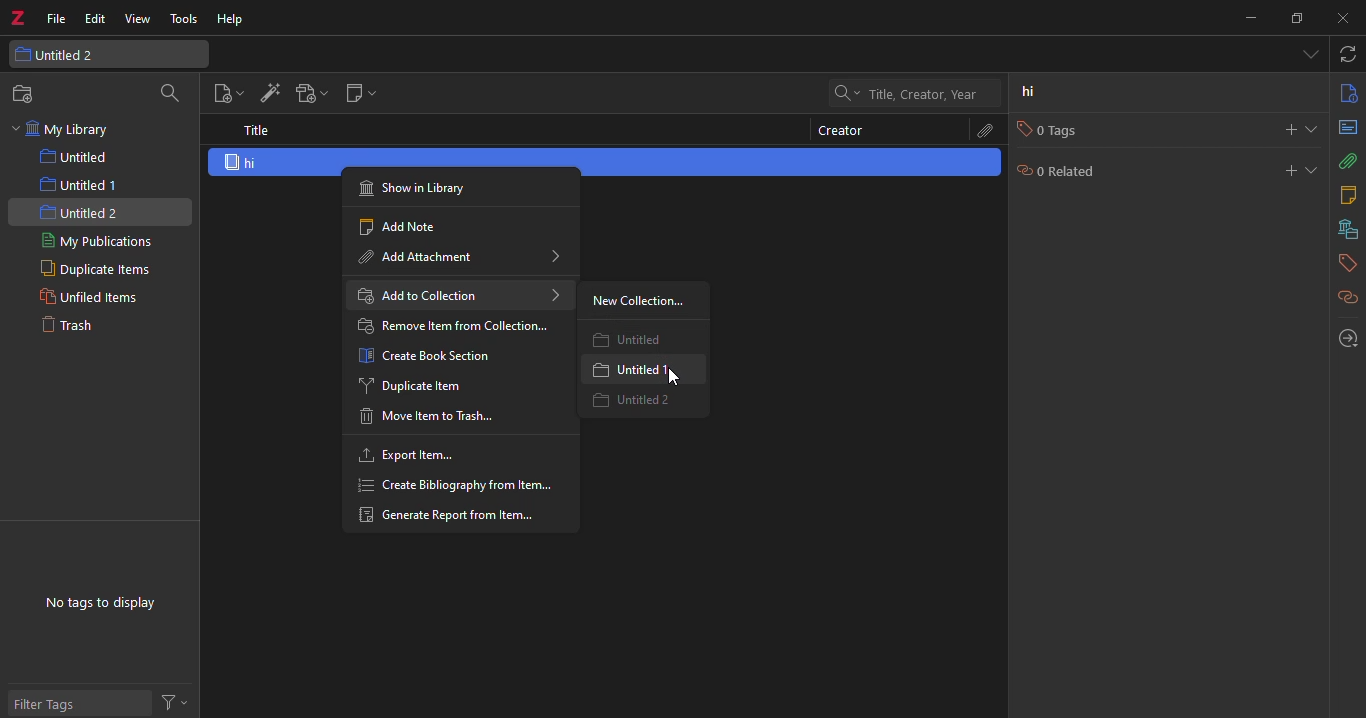  What do you see at coordinates (1050, 131) in the screenshot?
I see `0 tags` at bounding box center [1050, 131].